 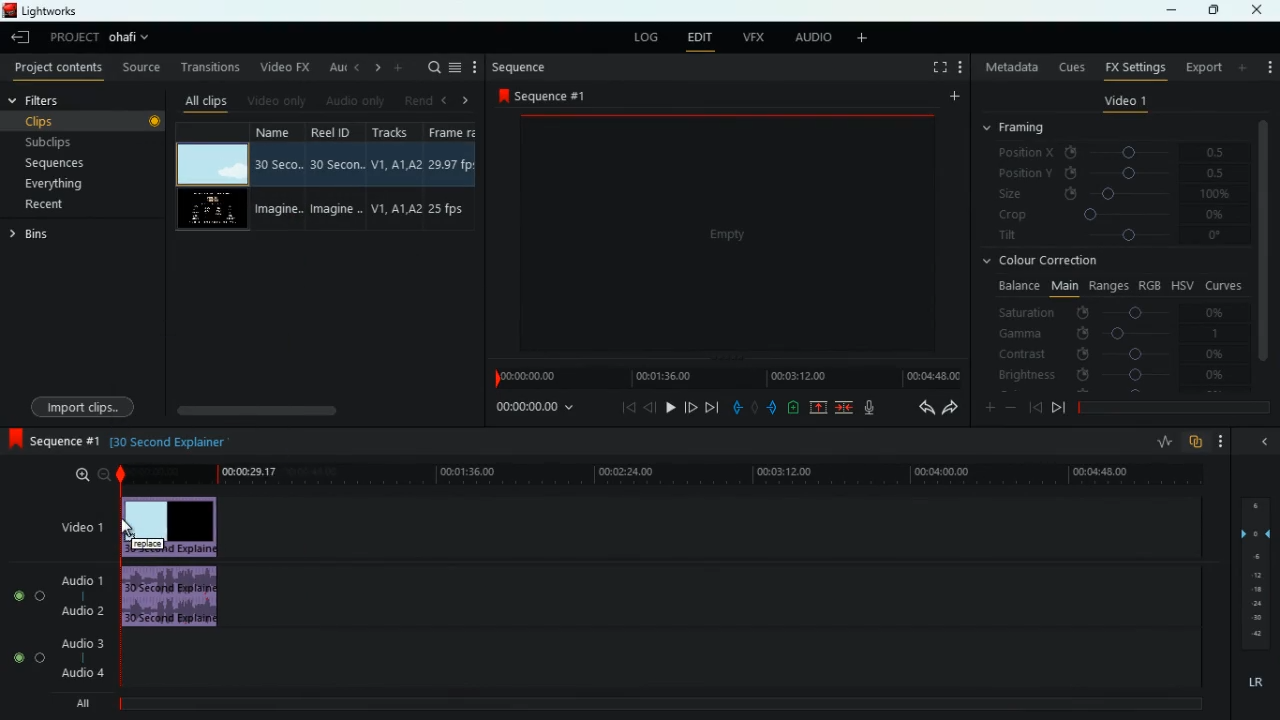 What do you see at coordinates (655, 474) in the screenshot?
I see `timeline` at bounding box center [655, 474].